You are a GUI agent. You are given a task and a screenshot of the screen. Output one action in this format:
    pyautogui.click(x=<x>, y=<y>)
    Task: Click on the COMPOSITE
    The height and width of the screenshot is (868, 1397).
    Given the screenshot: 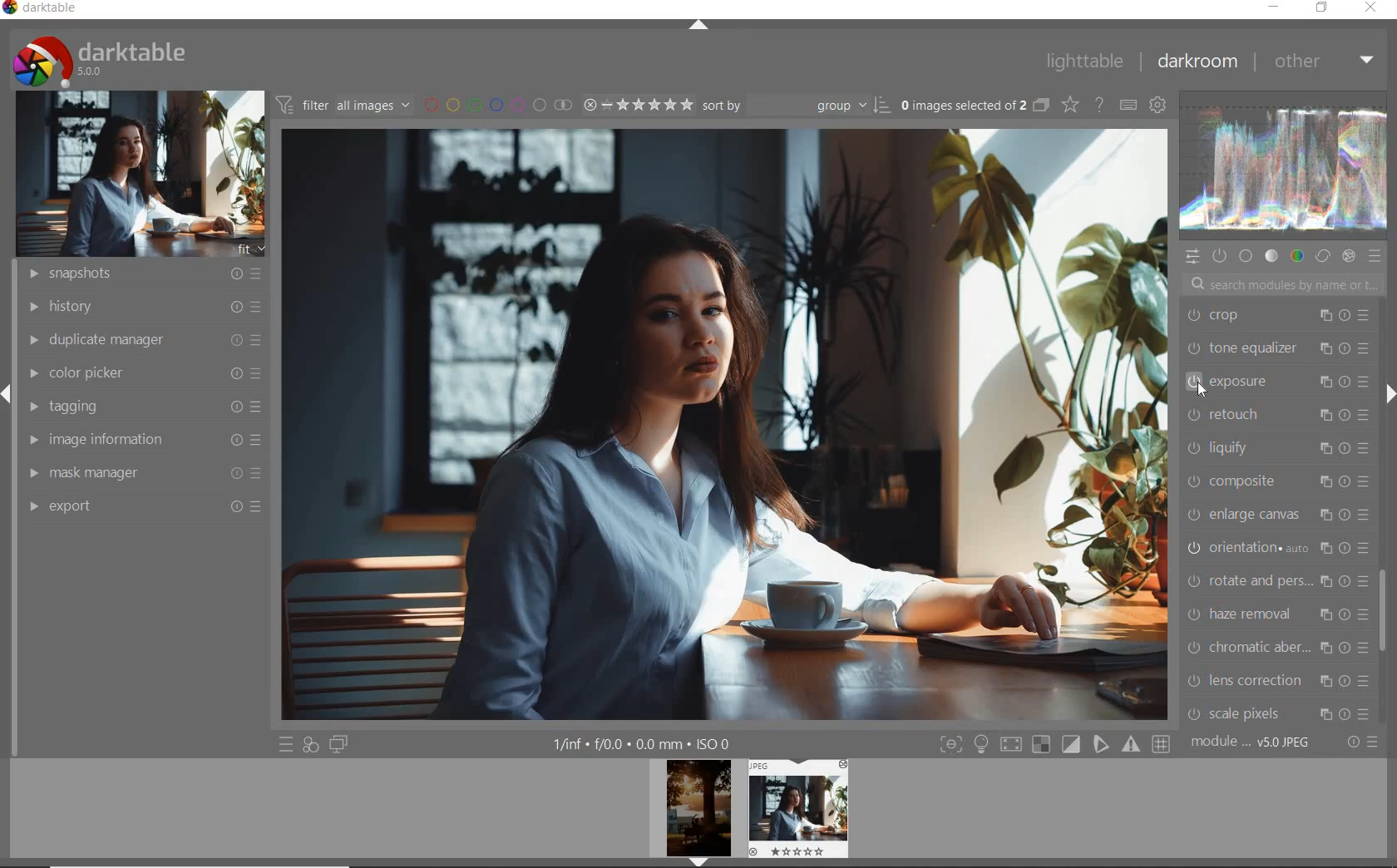 What is the action you would take?
    pyautogui.click(x=1282, y=482)
    